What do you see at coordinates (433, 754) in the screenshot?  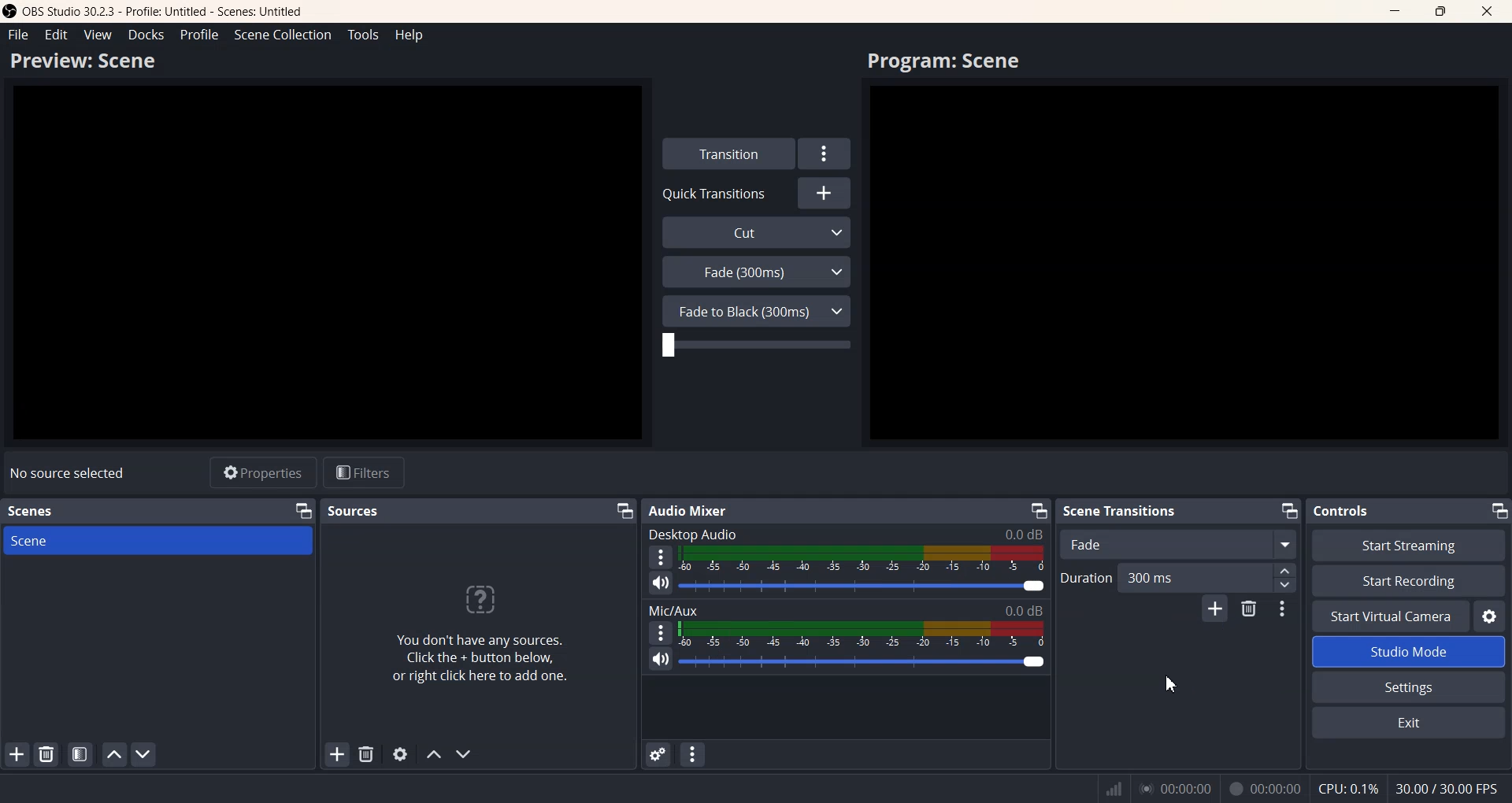 I see `Follow source up` at bounding box center [433, 754].